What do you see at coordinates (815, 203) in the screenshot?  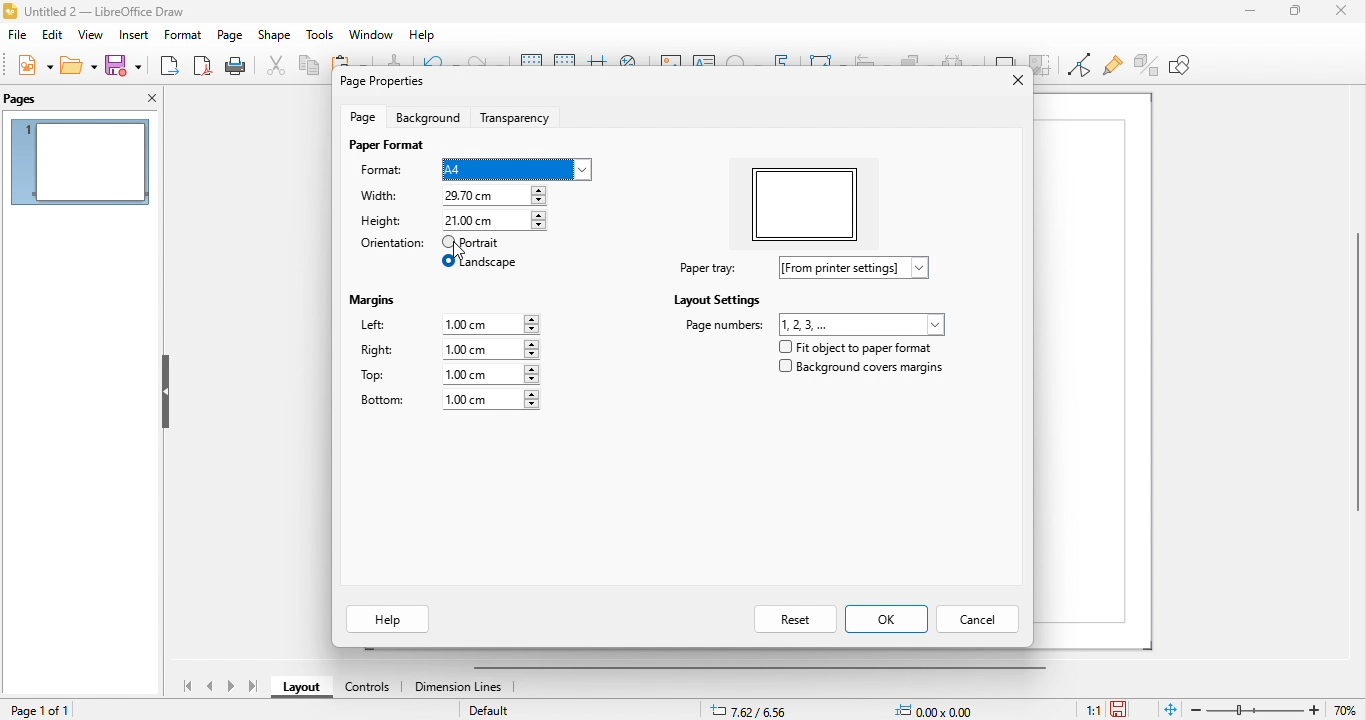 I see `preview` at bounding box center [815, 203].